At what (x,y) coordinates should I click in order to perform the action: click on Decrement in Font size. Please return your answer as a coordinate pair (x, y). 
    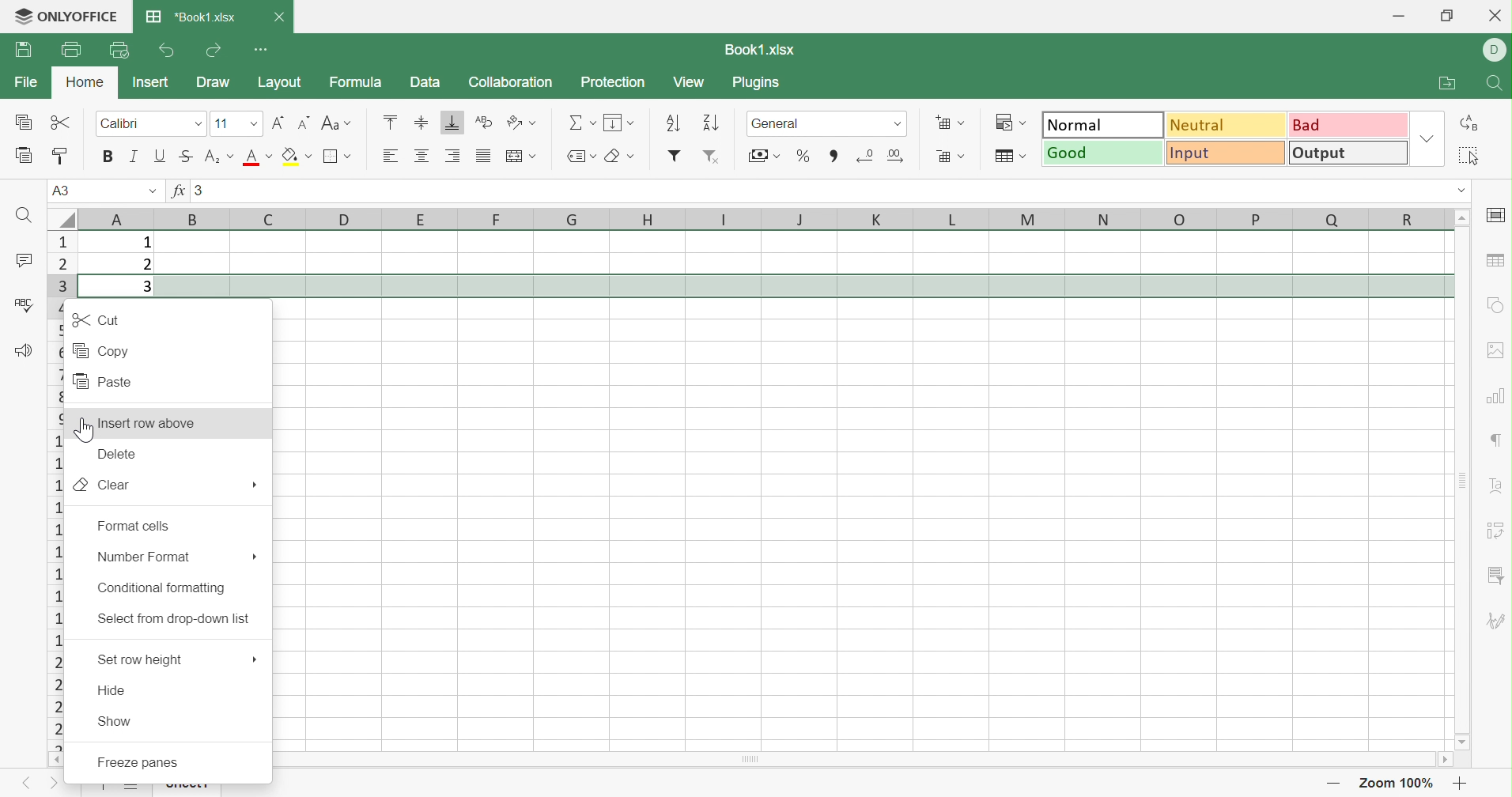
    Looking at the image, I should click on (301, 121).